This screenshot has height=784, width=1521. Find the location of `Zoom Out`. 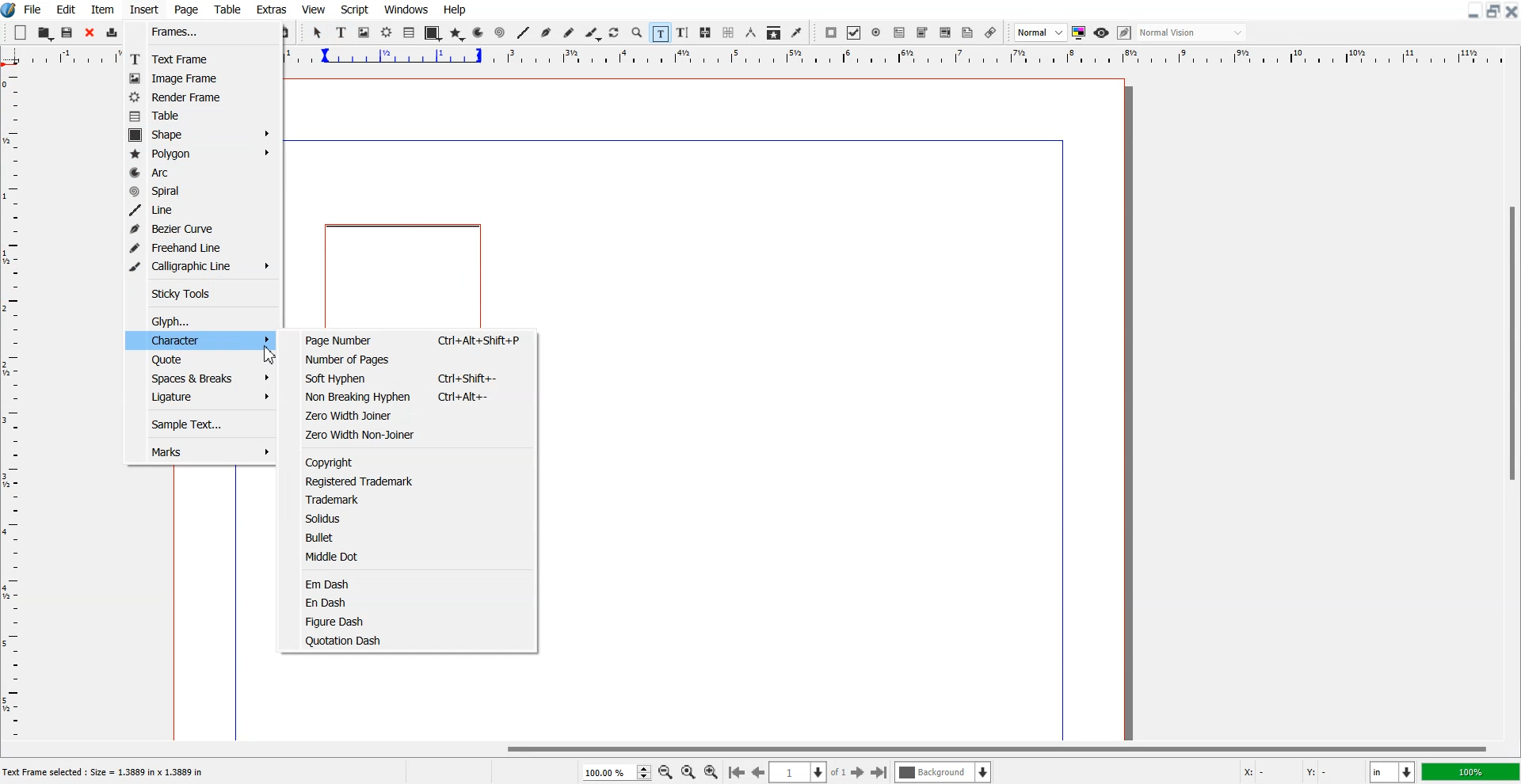

Zoom Out is located at coordinates (666, 773).